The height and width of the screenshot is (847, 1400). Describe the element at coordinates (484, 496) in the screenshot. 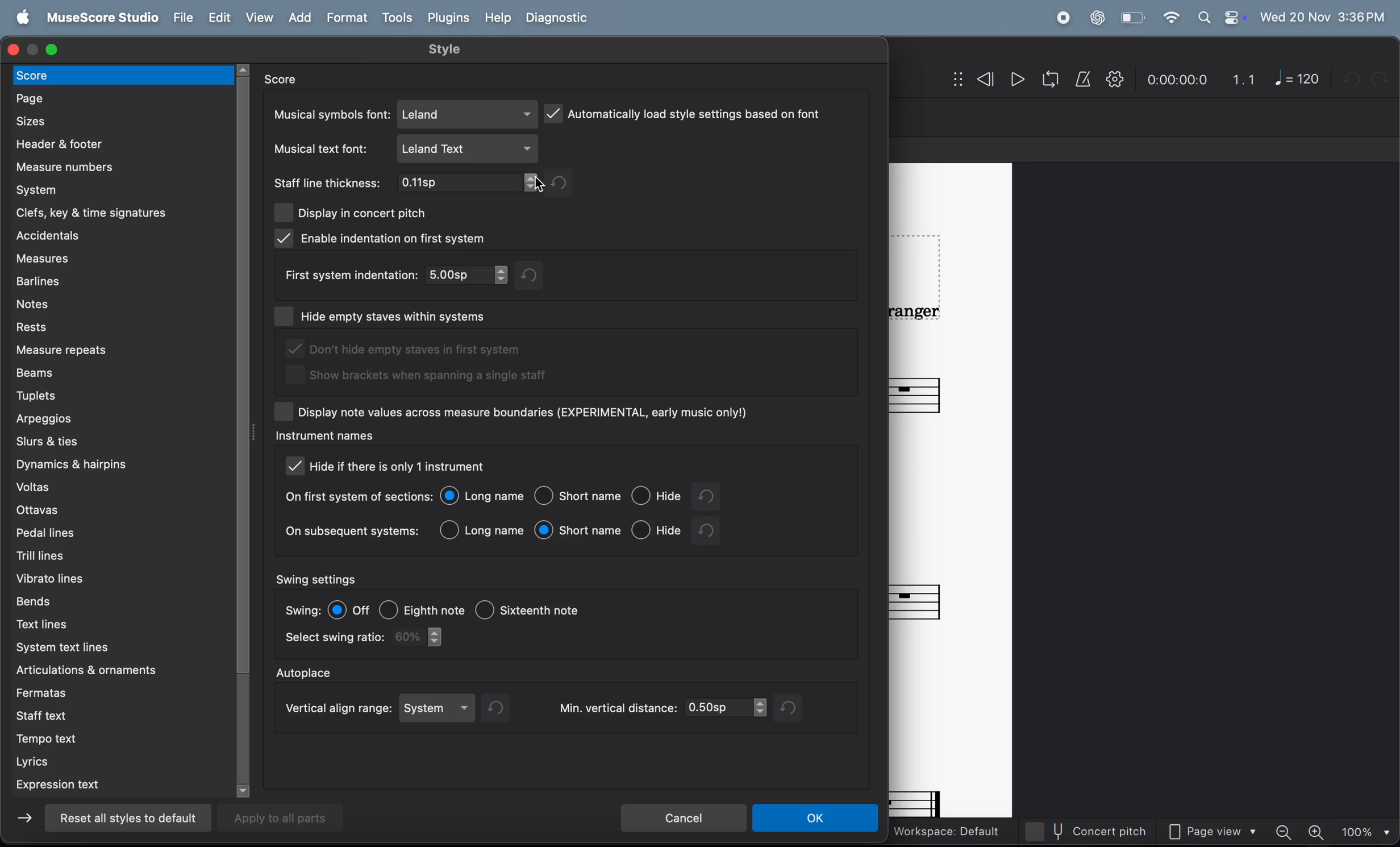

I see `long name` at that location.